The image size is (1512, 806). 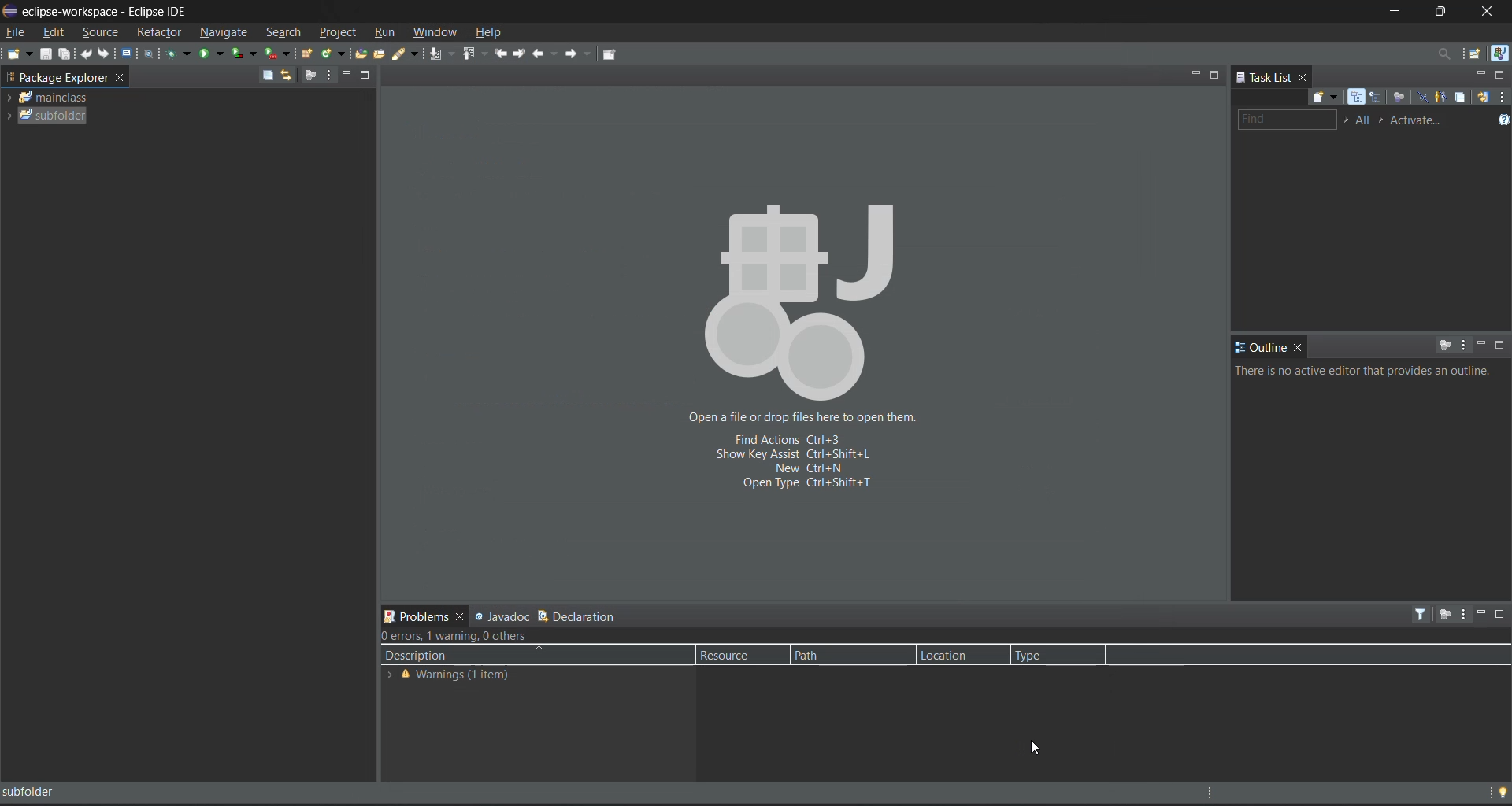 I want to click on file, so click(x=16, y=31).